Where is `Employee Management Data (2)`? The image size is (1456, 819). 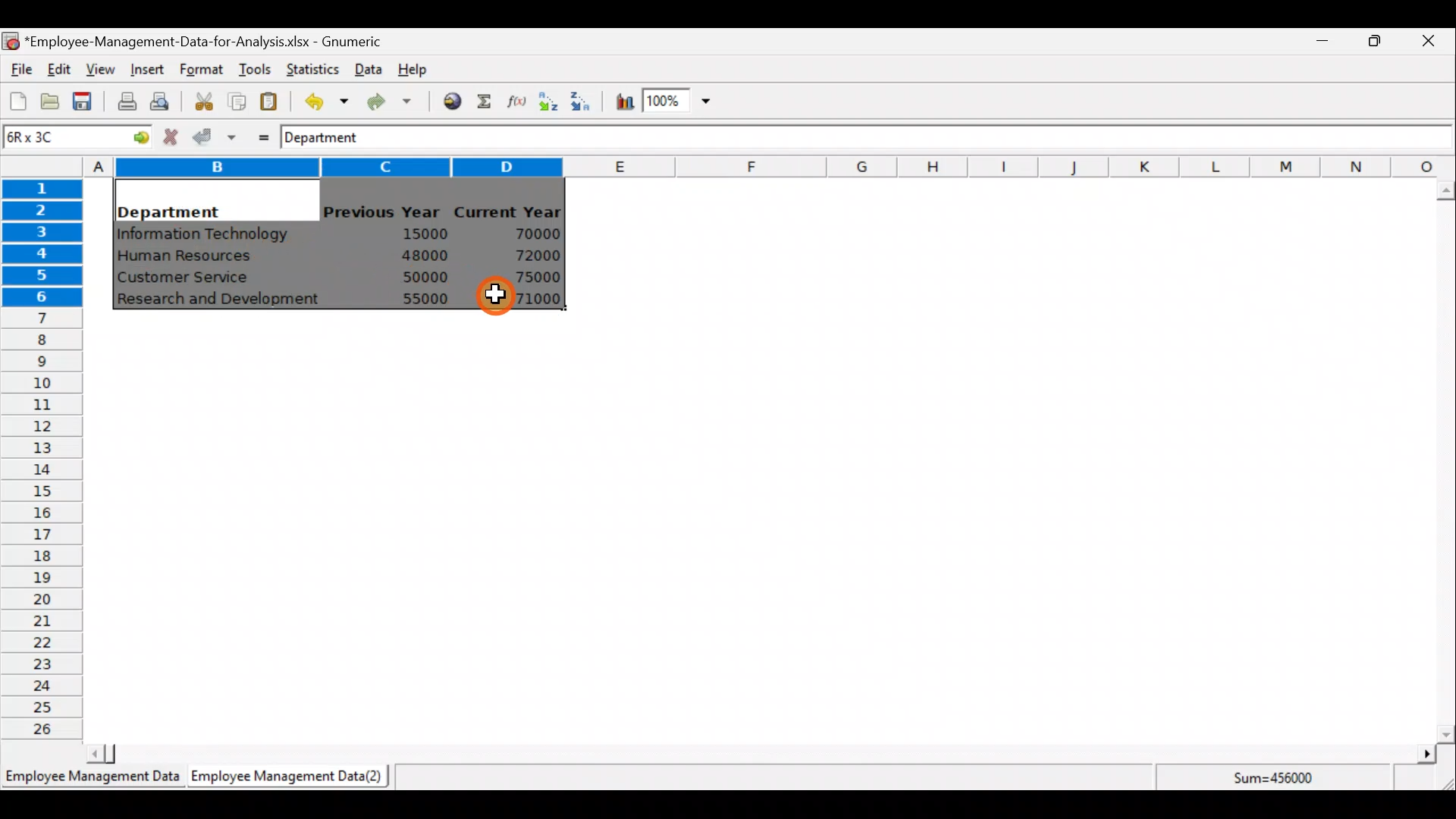
Employee Management Data (2) is located at coordinates (290, 777).